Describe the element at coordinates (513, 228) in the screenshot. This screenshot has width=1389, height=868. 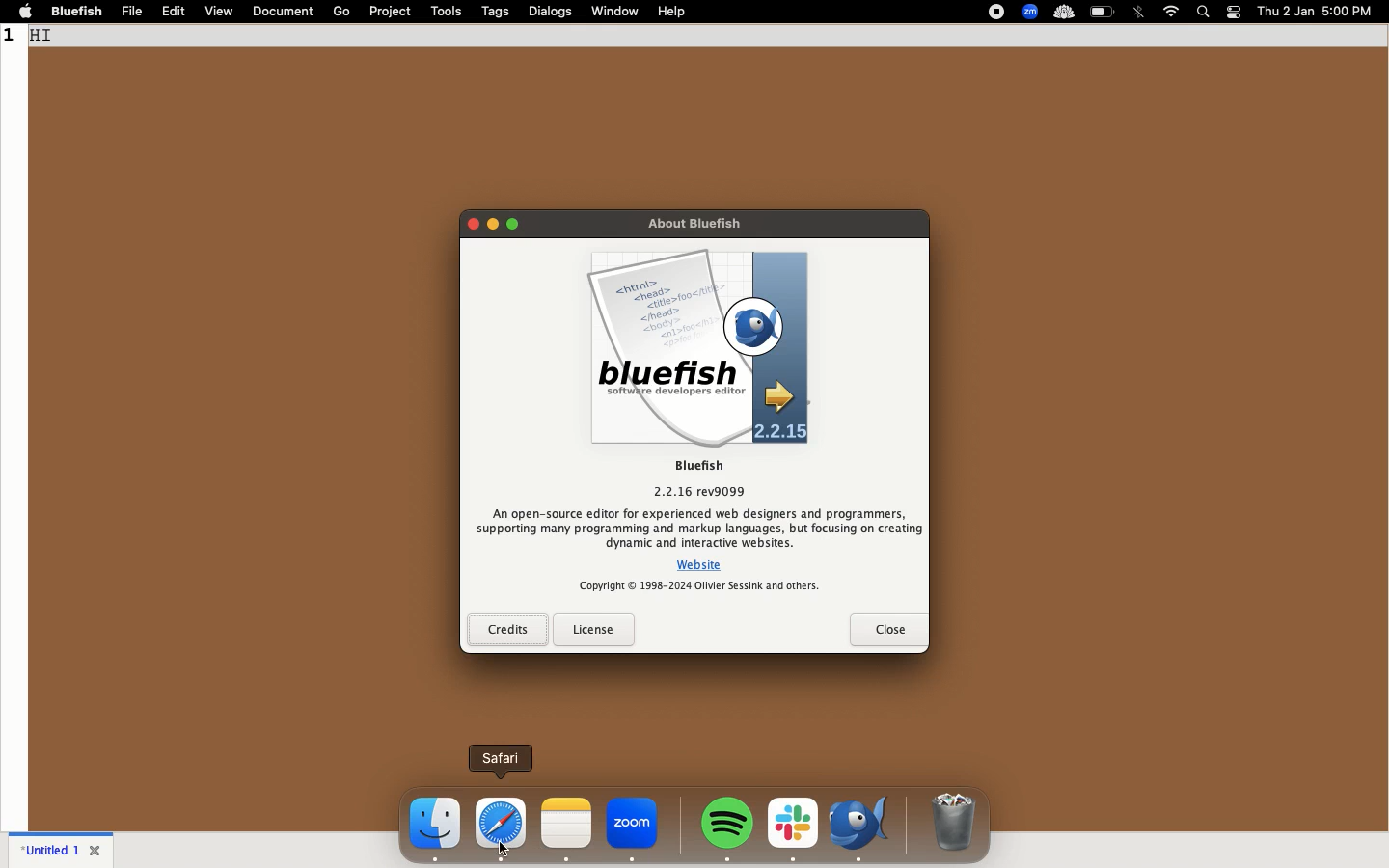
I see `maximize` at that location.